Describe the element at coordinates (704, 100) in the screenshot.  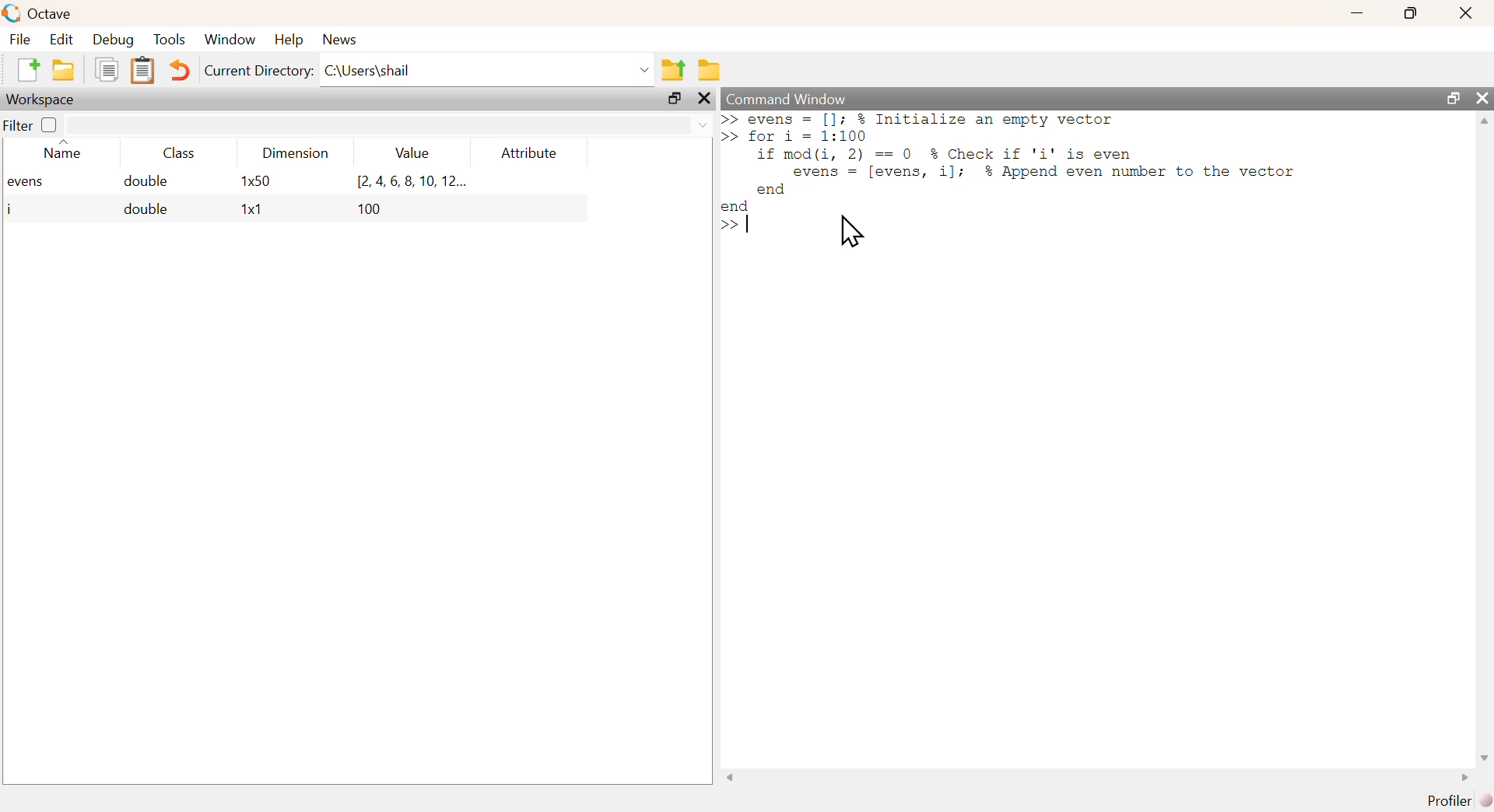
I see `close` at that location.